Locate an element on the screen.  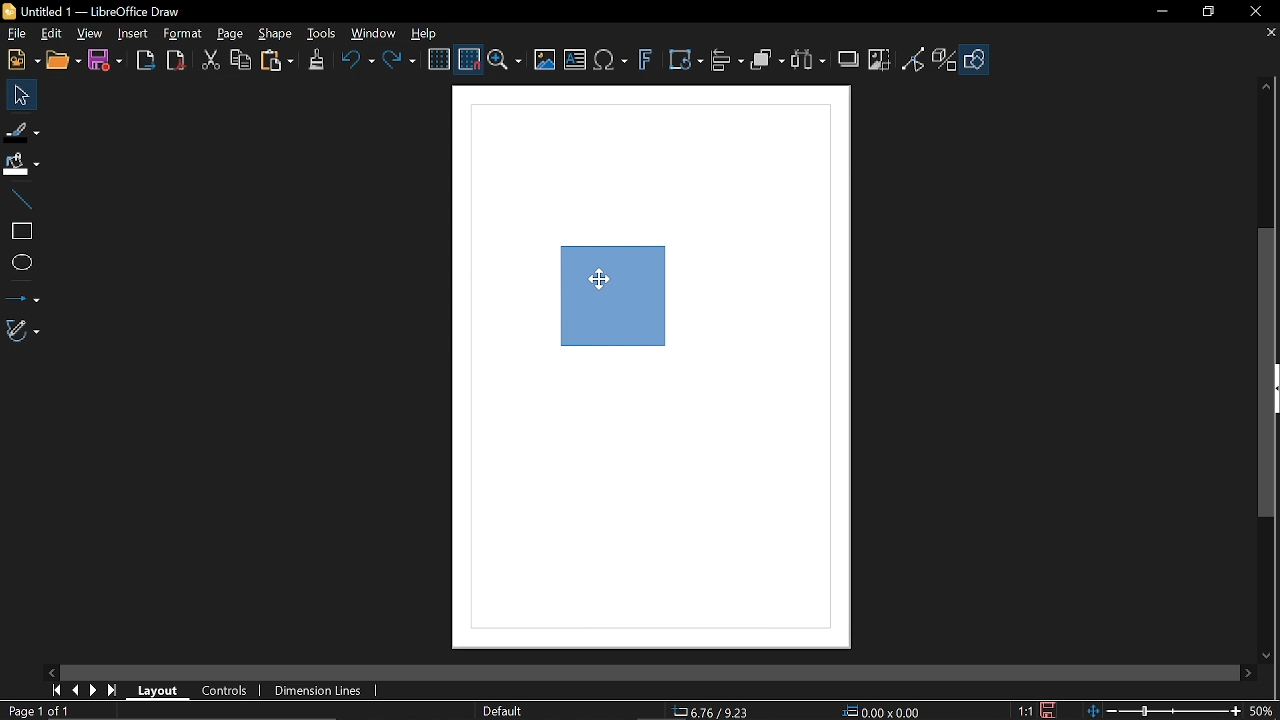
Move right is located at coordinates (1245, 673).